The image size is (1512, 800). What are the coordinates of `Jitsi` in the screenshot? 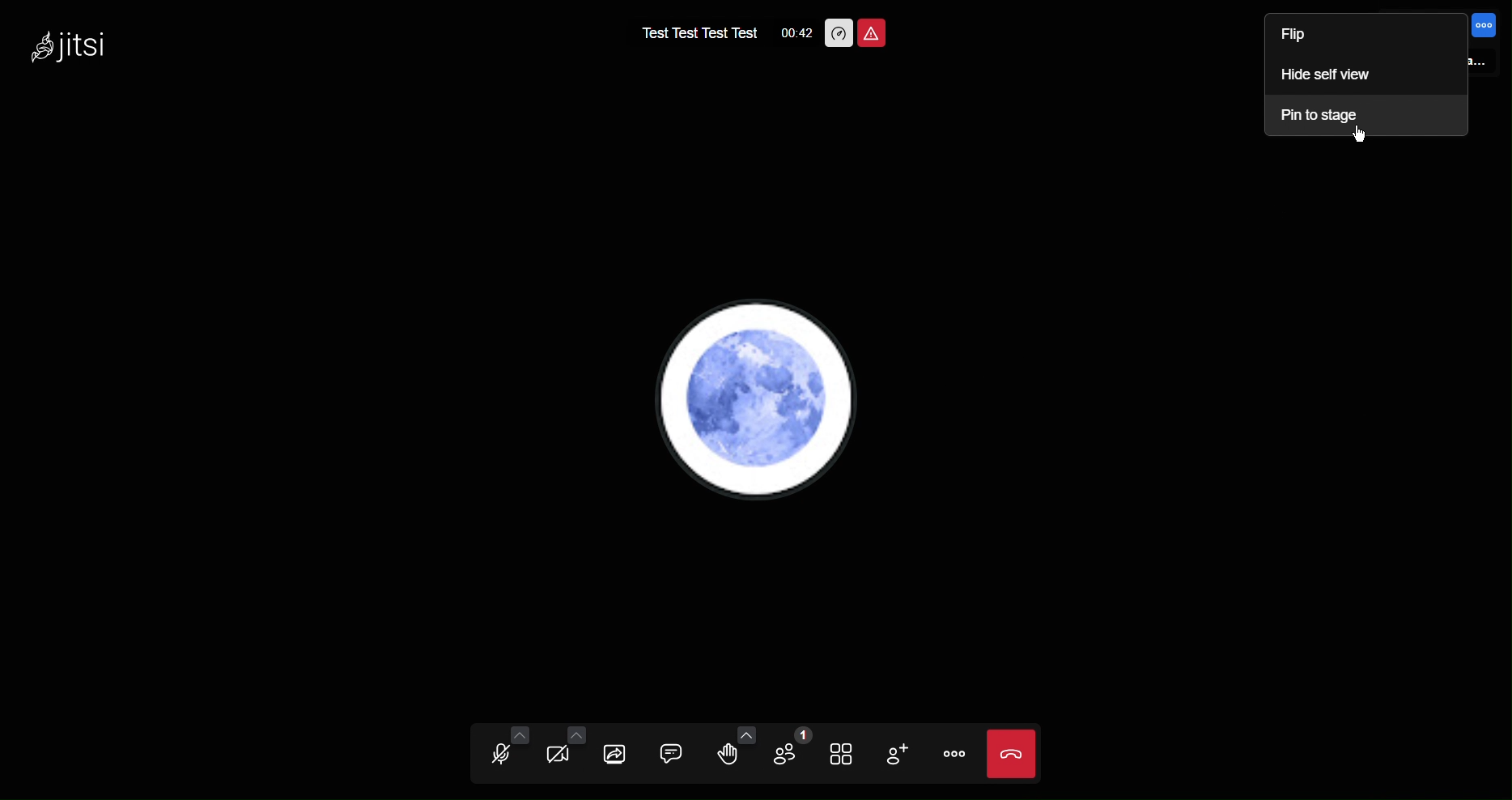 It's located at (71, 44).